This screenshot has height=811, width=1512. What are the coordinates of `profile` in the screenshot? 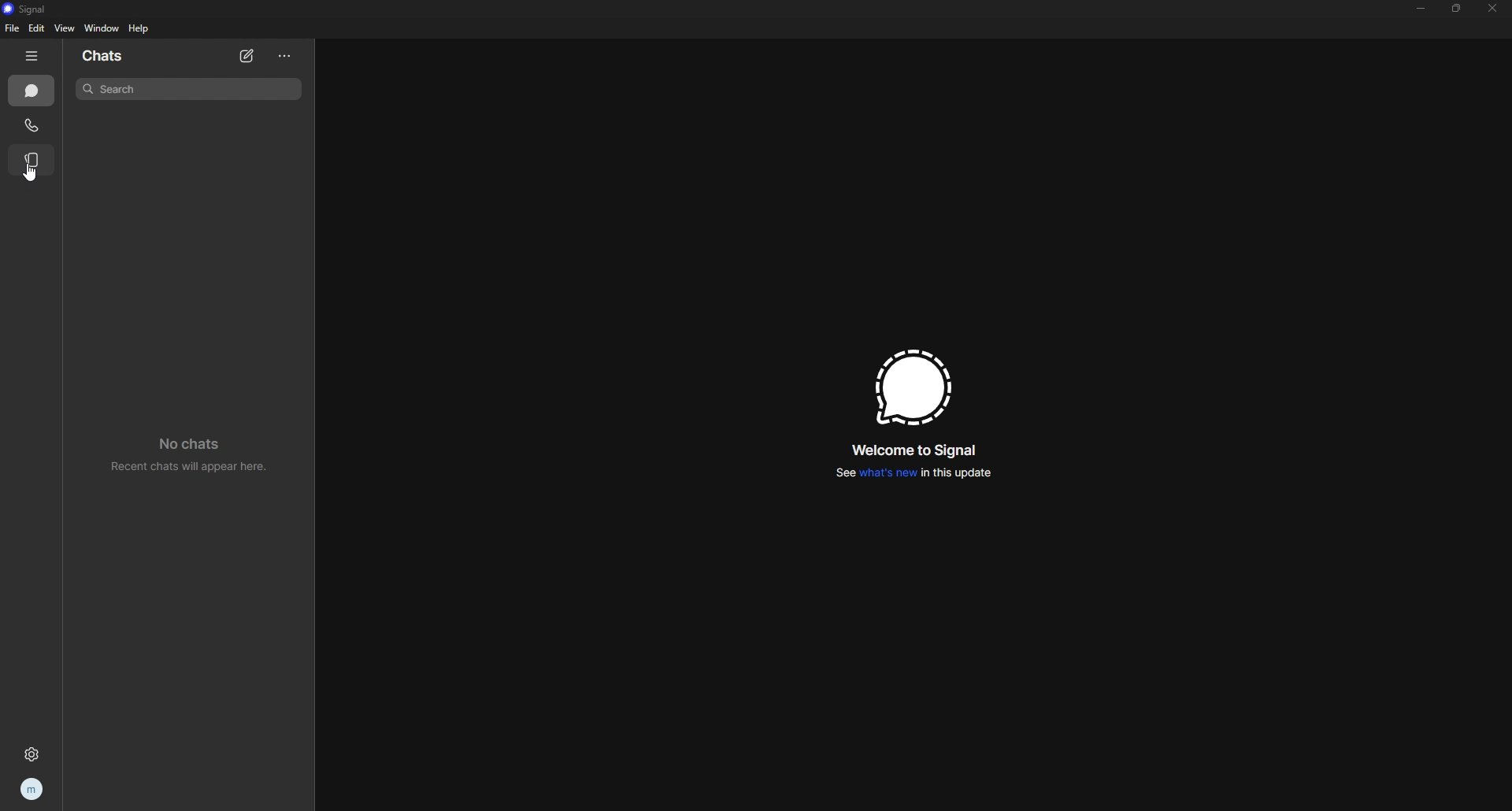 It's located at (33, 788).